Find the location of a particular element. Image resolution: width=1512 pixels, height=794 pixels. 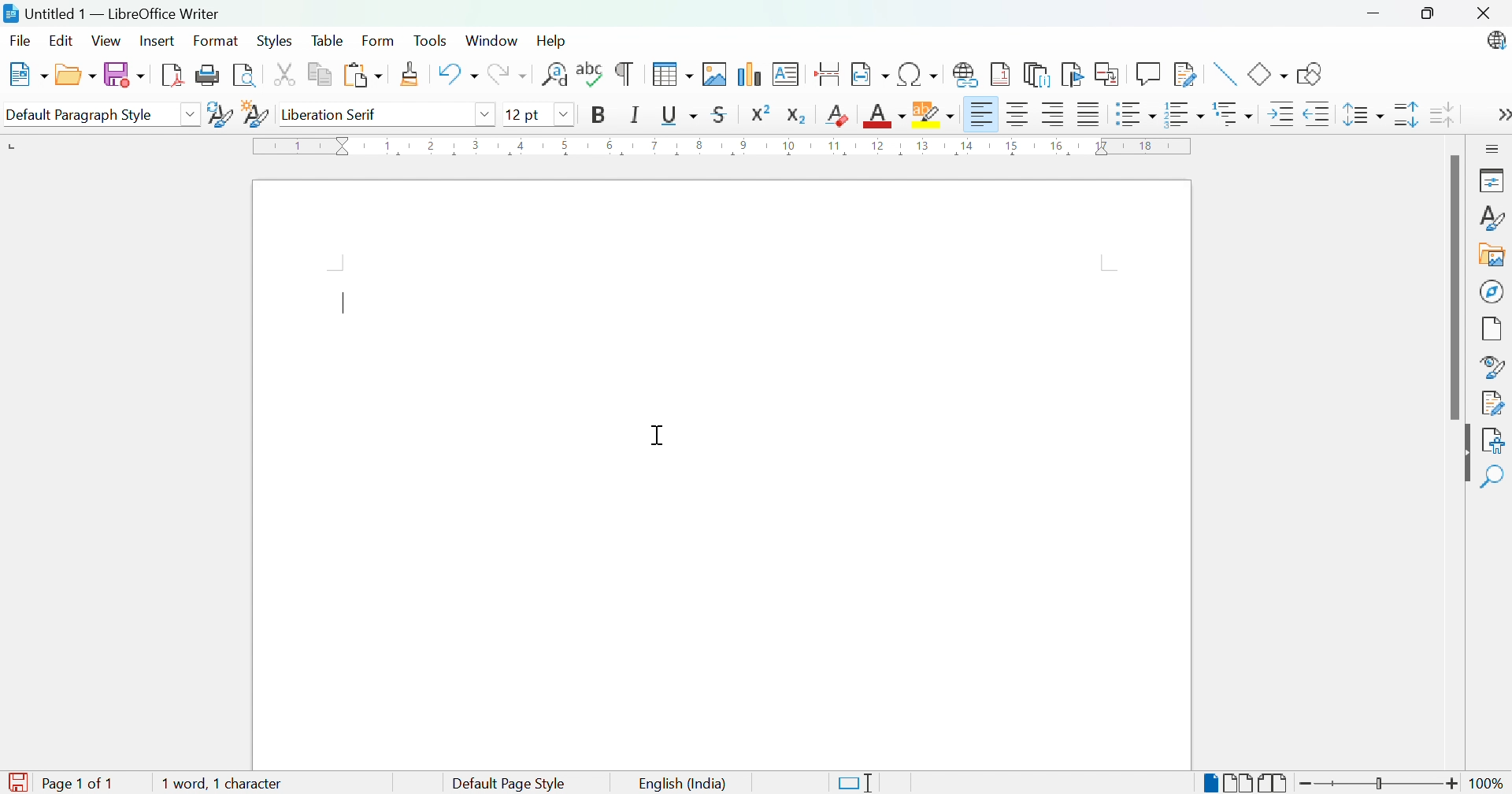

Clone formatting is located at coordinates (413, 74).